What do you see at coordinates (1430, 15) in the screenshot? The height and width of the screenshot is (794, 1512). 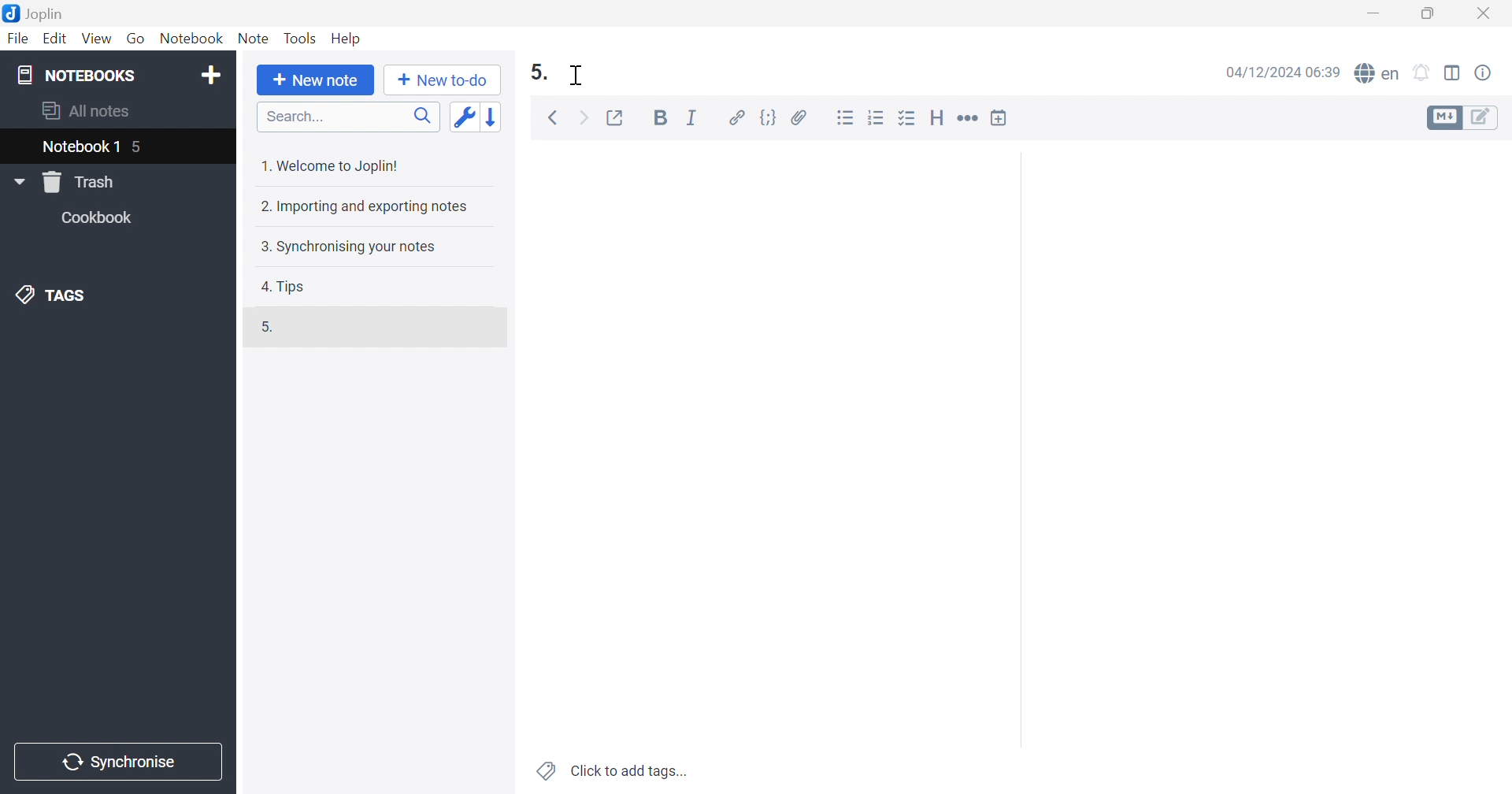 I see `Restore Down` at bounding box center [1430, 15].